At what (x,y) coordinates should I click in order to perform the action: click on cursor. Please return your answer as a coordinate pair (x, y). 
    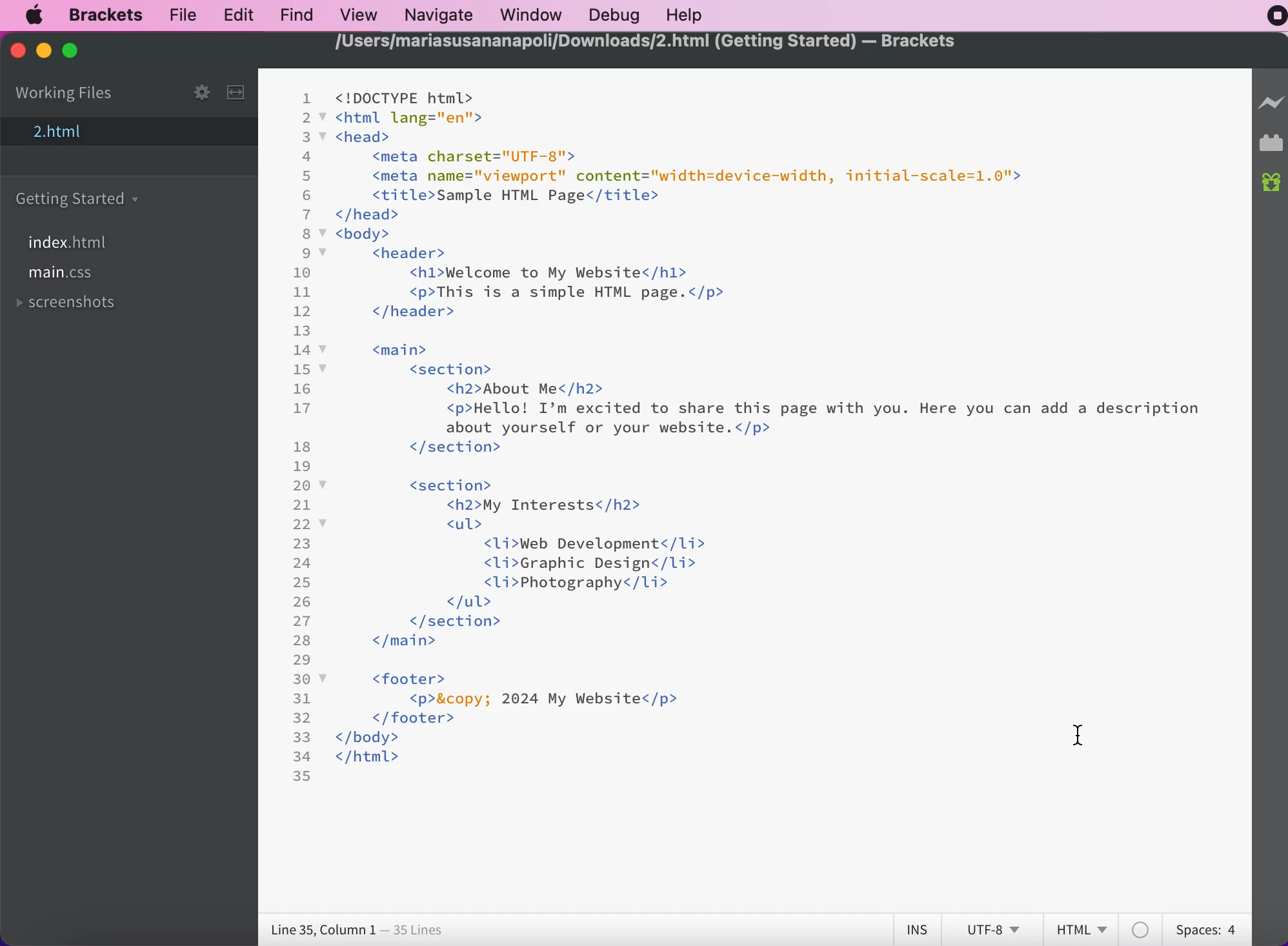
    Looking at the image, I should click on (1079, 738).